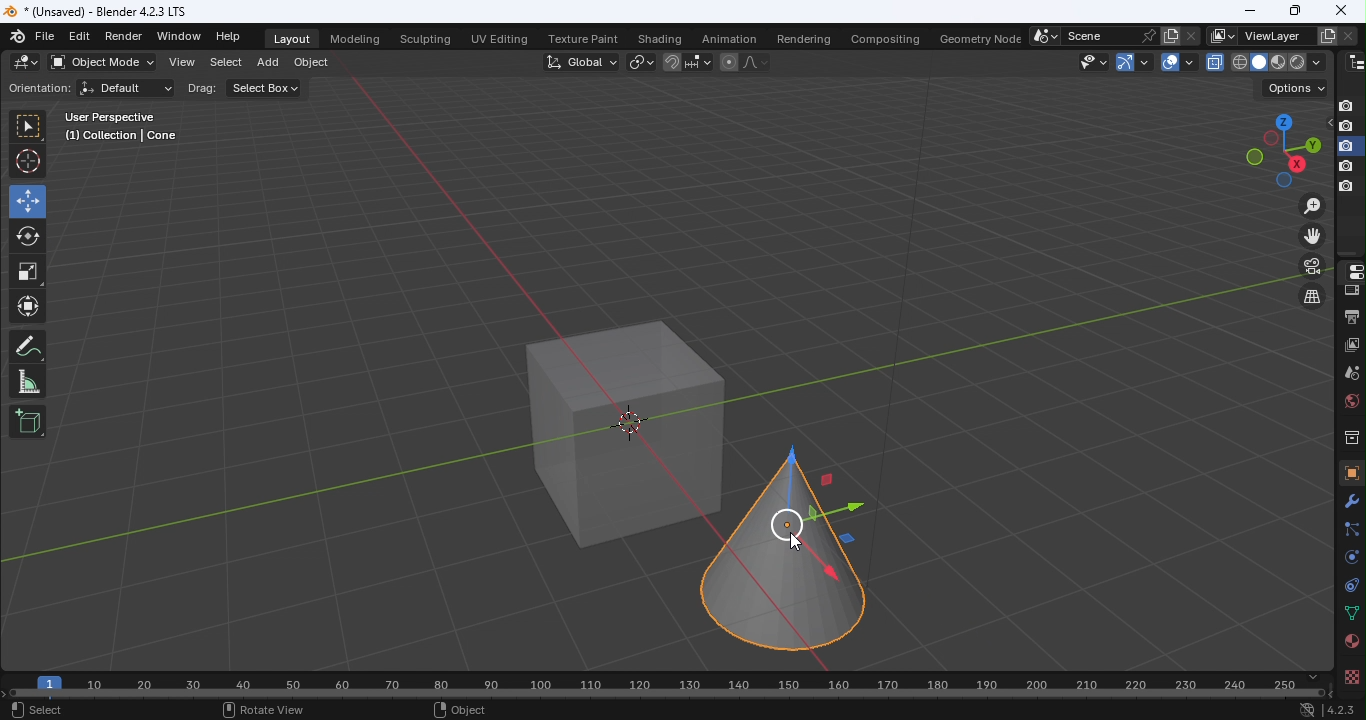  I want to click on Scale, so click(29, 272).